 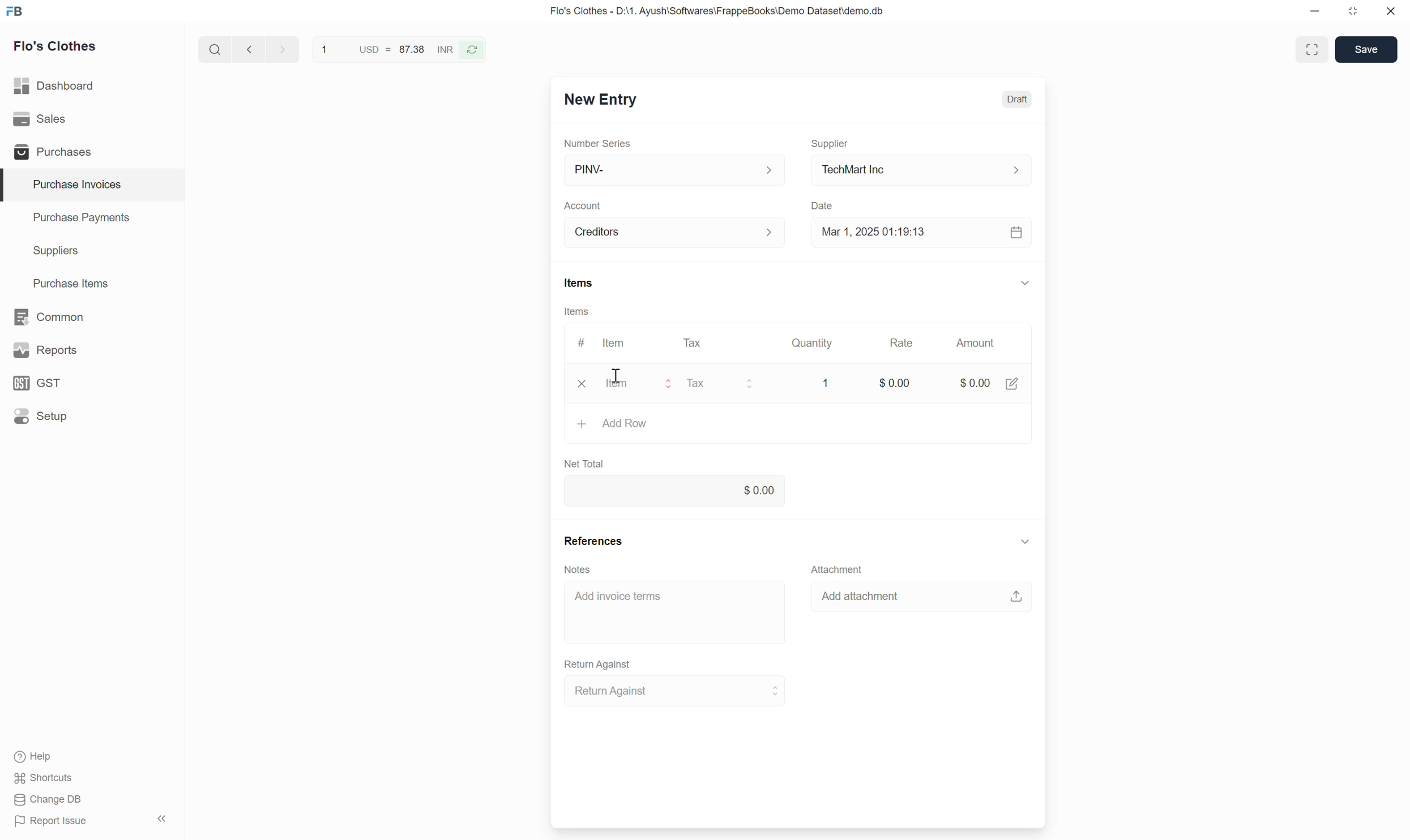 What do you see at coordinates (723, 383) in the screenshot?
I see `Tax` at bounding box center [723, 383].